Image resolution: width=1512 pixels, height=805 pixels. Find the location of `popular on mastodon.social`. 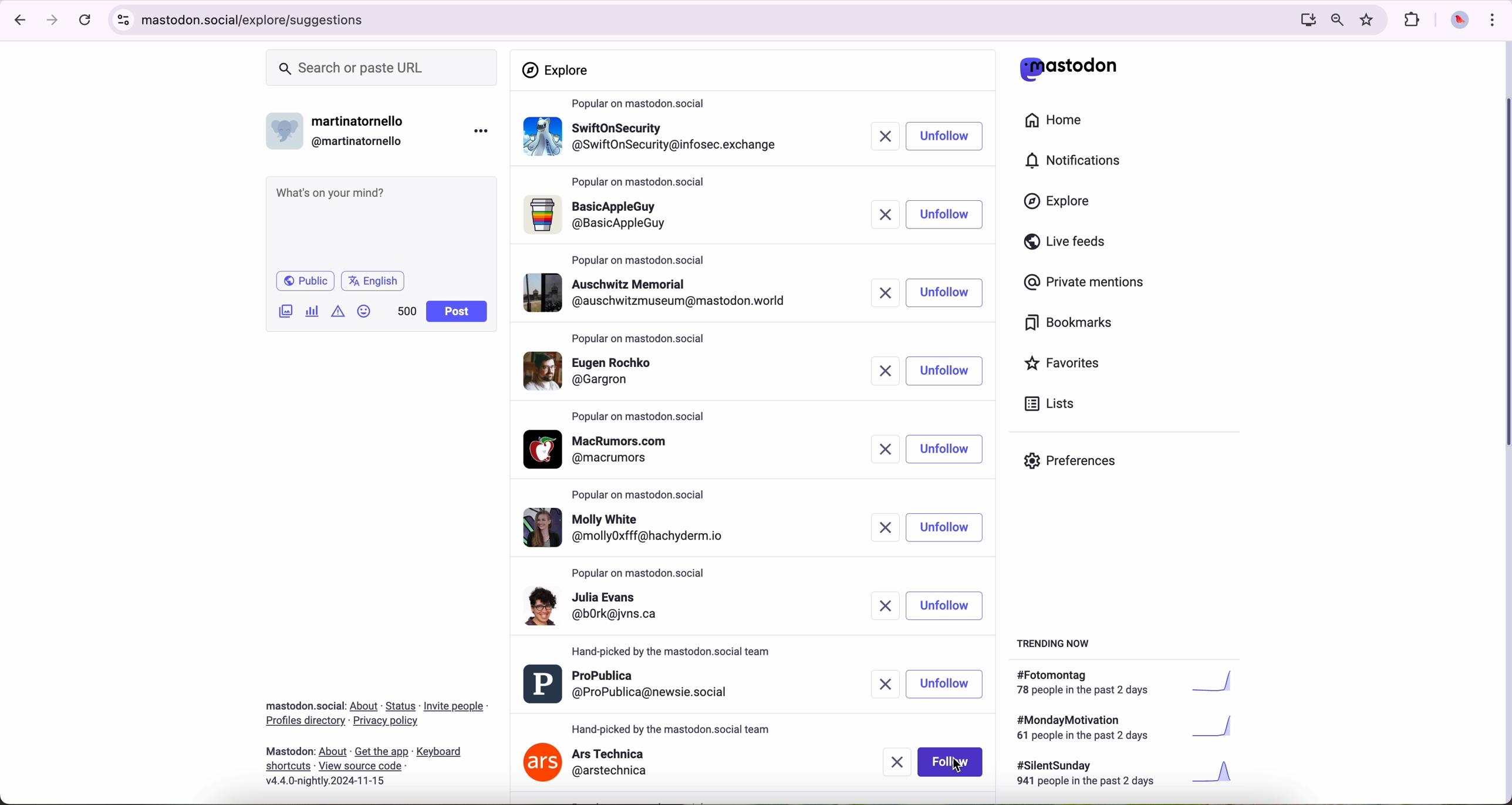

popular on mastodon.social is located at coordinates (643, 104).